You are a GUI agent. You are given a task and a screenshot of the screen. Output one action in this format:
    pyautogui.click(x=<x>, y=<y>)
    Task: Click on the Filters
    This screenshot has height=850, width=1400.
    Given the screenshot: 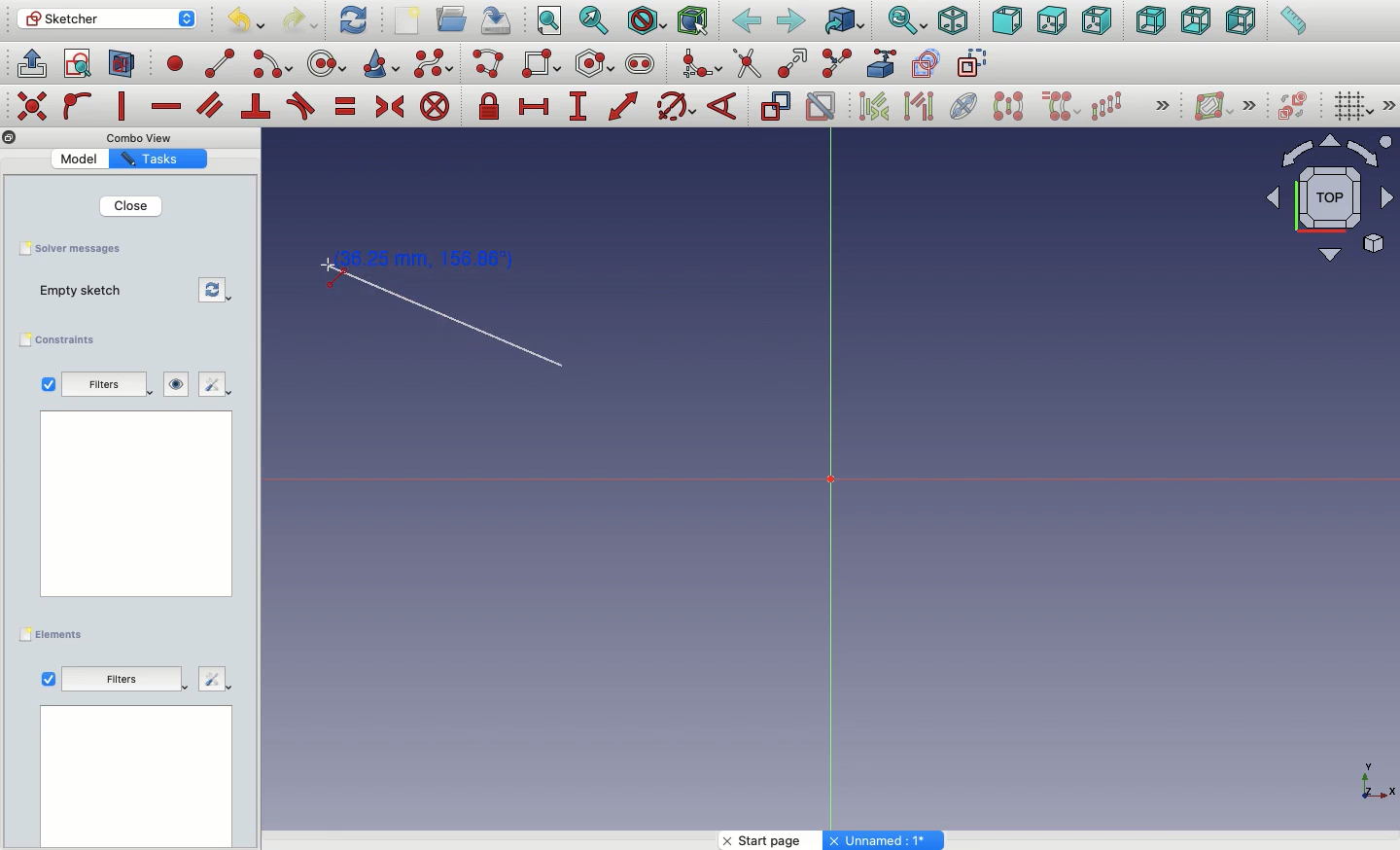 What is the action you would take?
    pyautogui.click(x=109, y=385)
    